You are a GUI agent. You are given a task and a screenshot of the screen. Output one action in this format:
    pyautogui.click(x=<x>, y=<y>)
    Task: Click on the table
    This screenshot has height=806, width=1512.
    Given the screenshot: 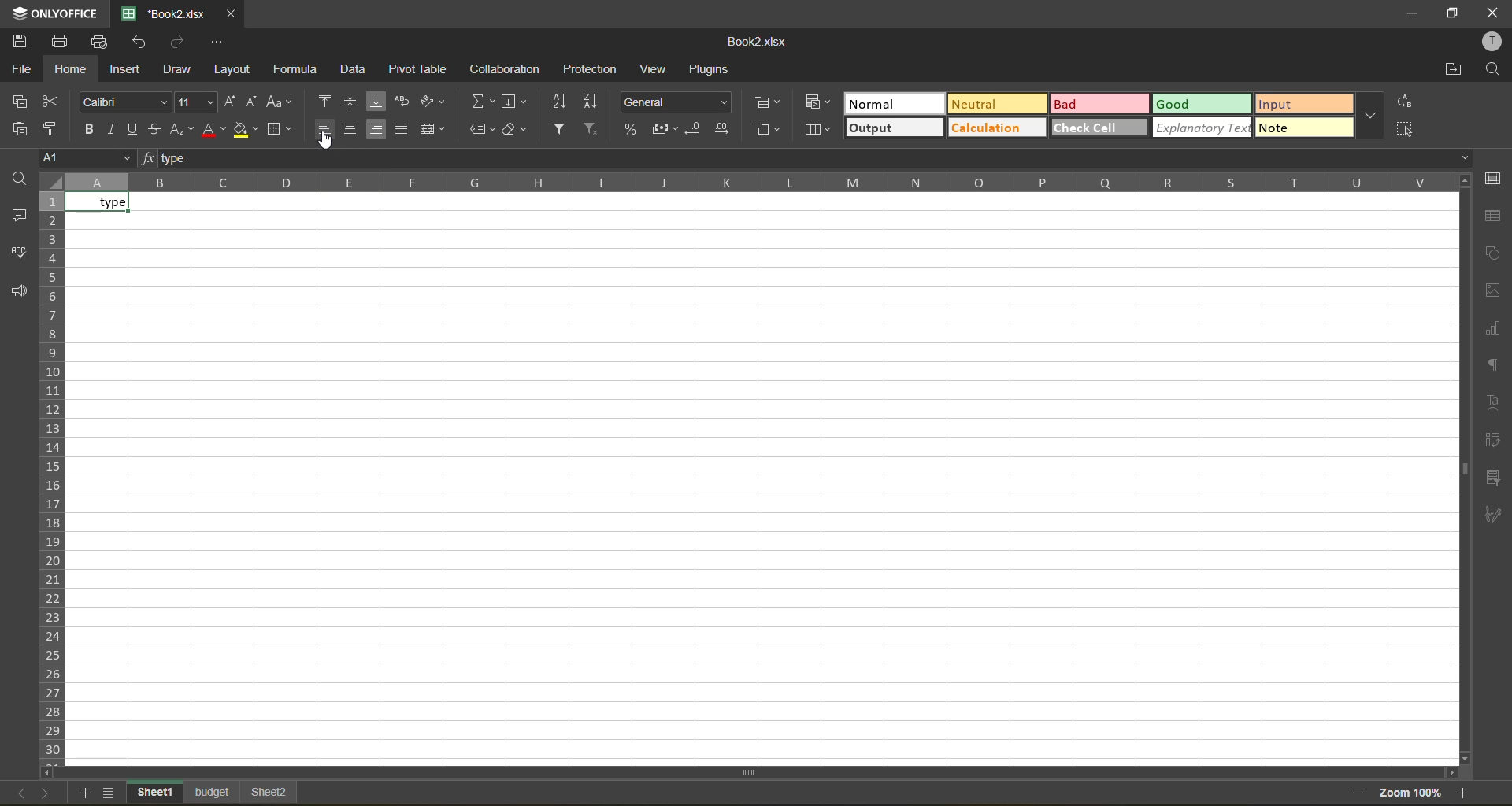 What is the action you would take?
    pyautogui.click(x=1494, y=216)
    